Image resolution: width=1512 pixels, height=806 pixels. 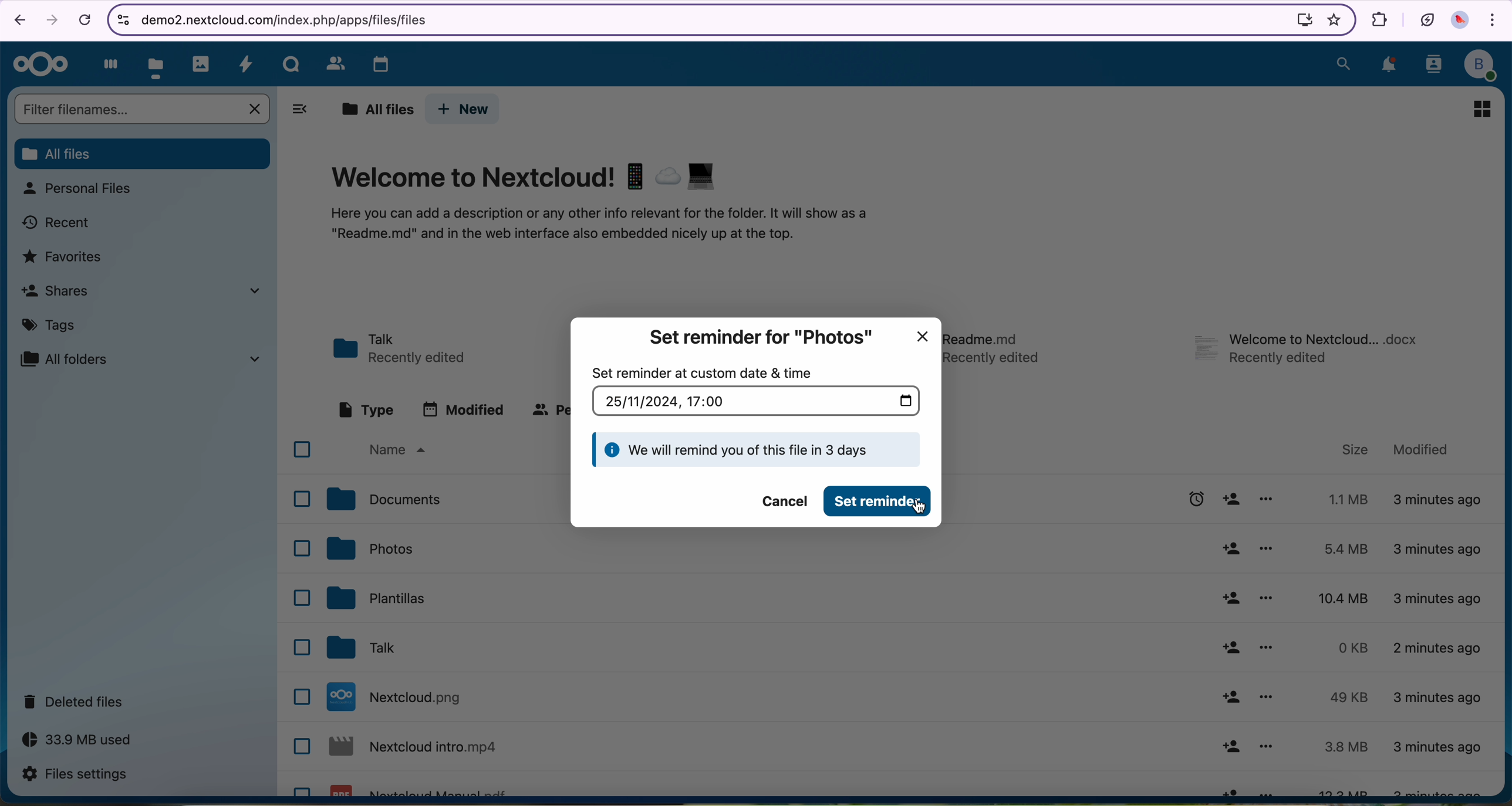 What do you see at coordinates (147, 293) in the screenshot?
I see `shares` at bounding box center [147, 293].